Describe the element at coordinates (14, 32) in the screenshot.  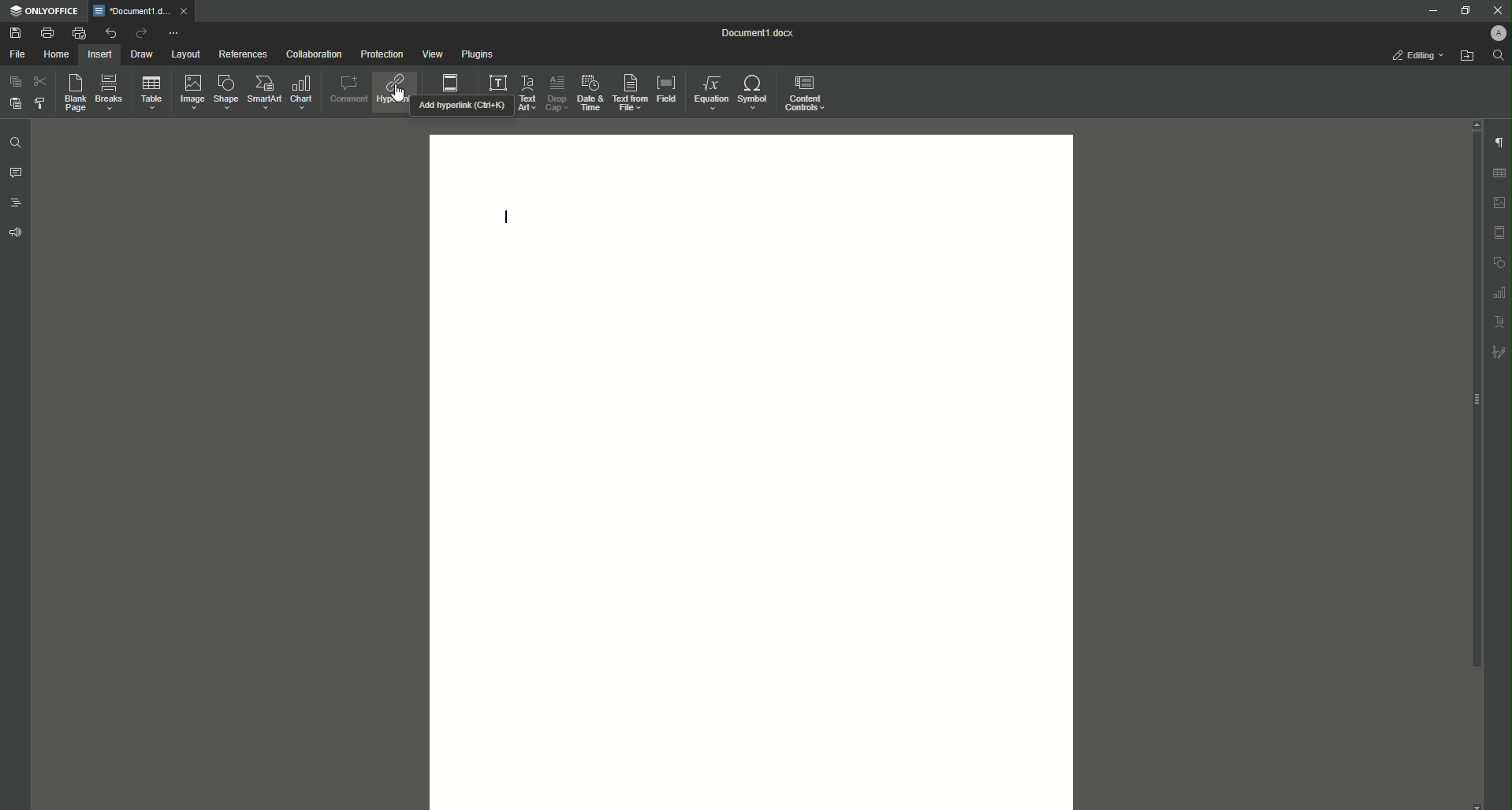
I see `Save` at that location.